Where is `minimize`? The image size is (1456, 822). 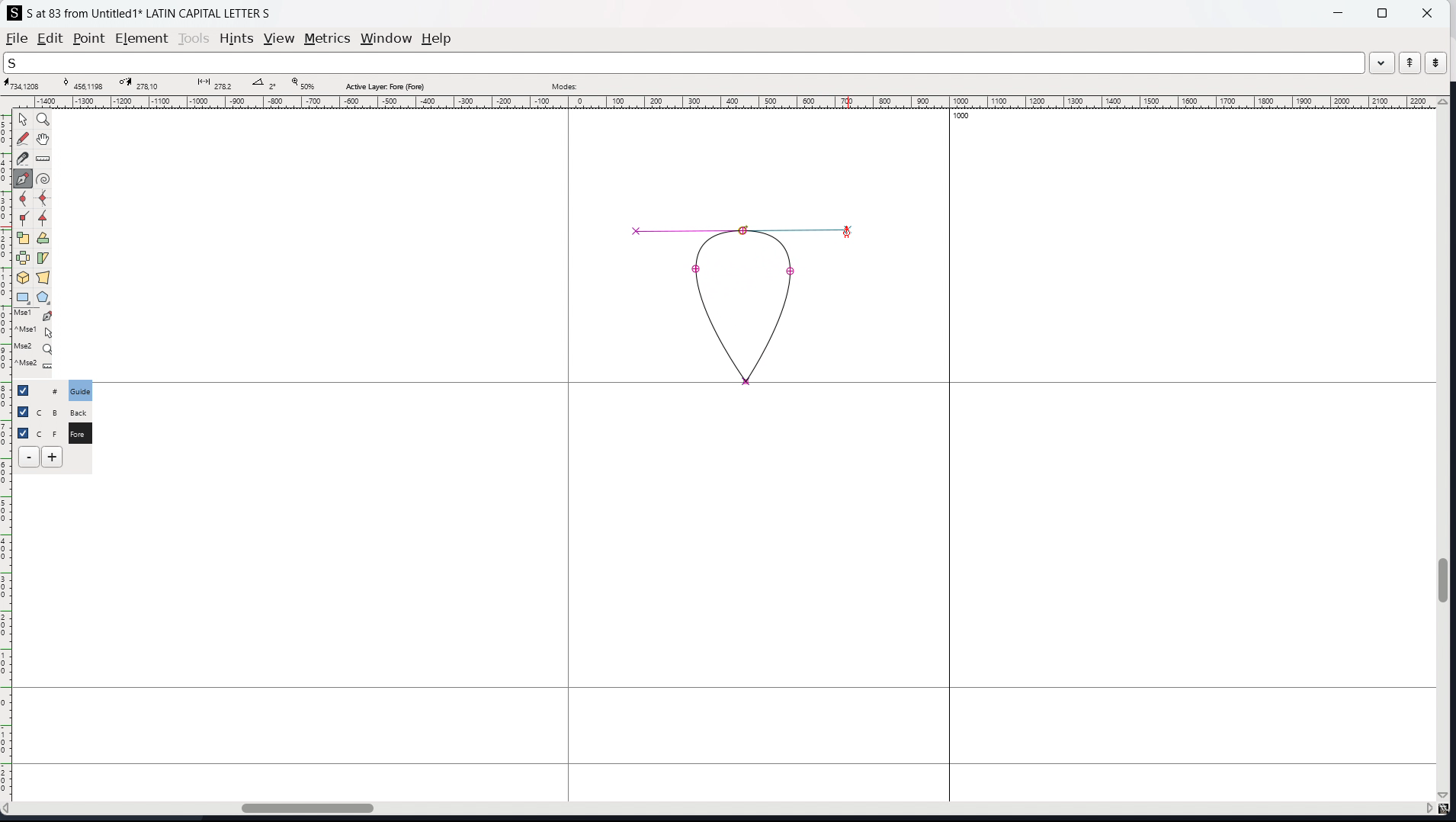
minimize is located at coordinates (1340, 11).